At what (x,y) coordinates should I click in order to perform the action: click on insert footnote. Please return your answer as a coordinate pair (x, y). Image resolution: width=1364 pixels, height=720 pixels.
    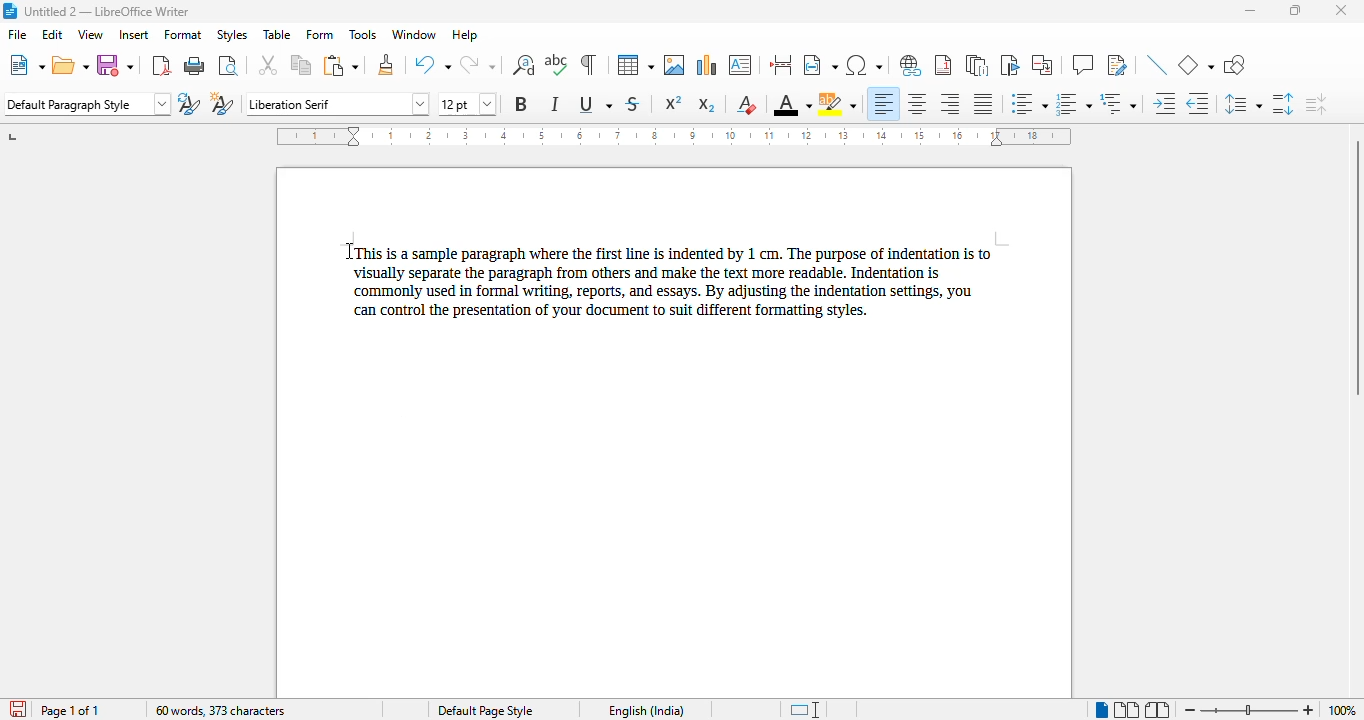
    Looking at the image, I should click on (944, 64).